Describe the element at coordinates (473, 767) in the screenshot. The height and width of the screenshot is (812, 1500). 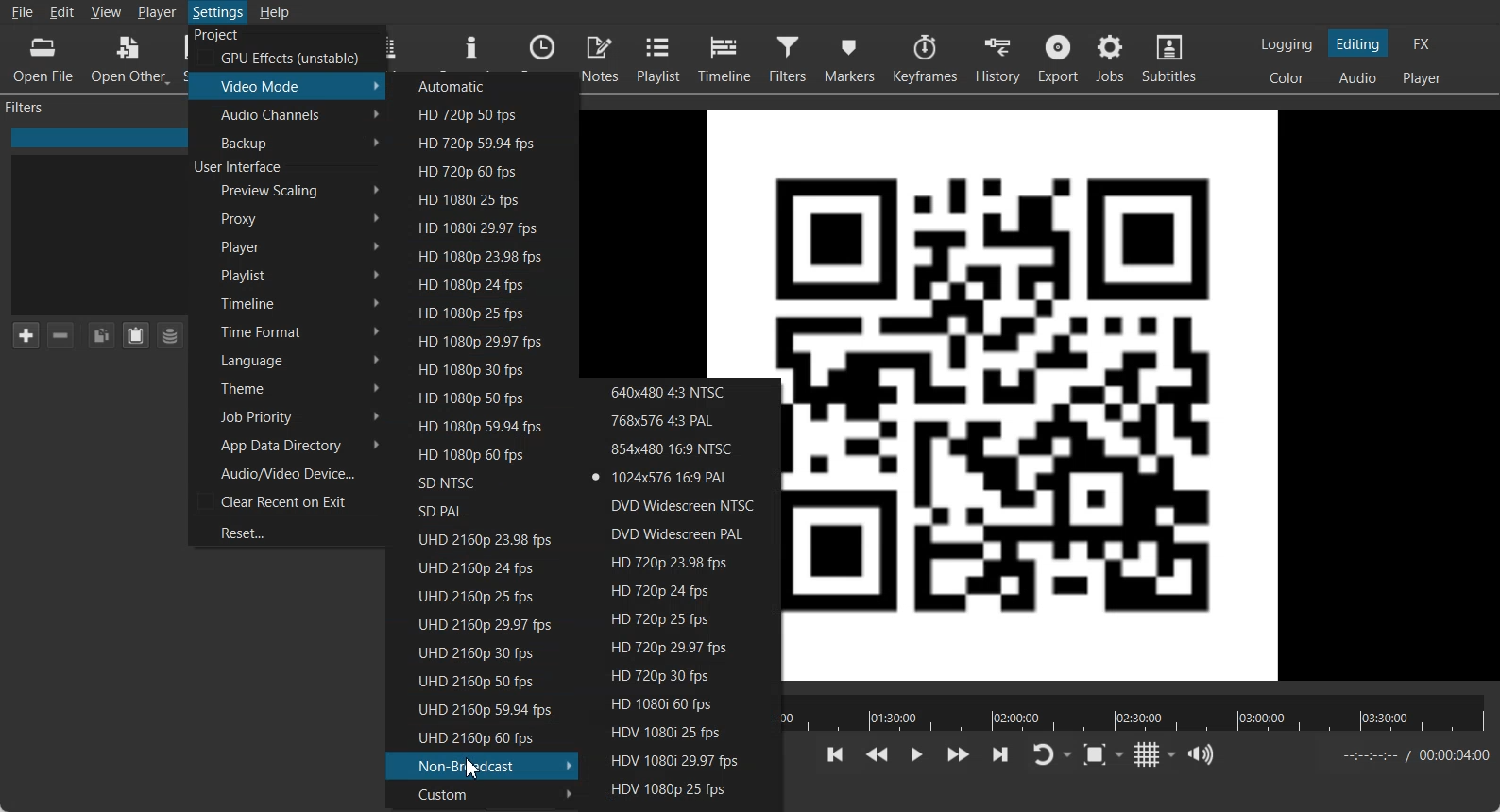
I see `Cursor` at that location.